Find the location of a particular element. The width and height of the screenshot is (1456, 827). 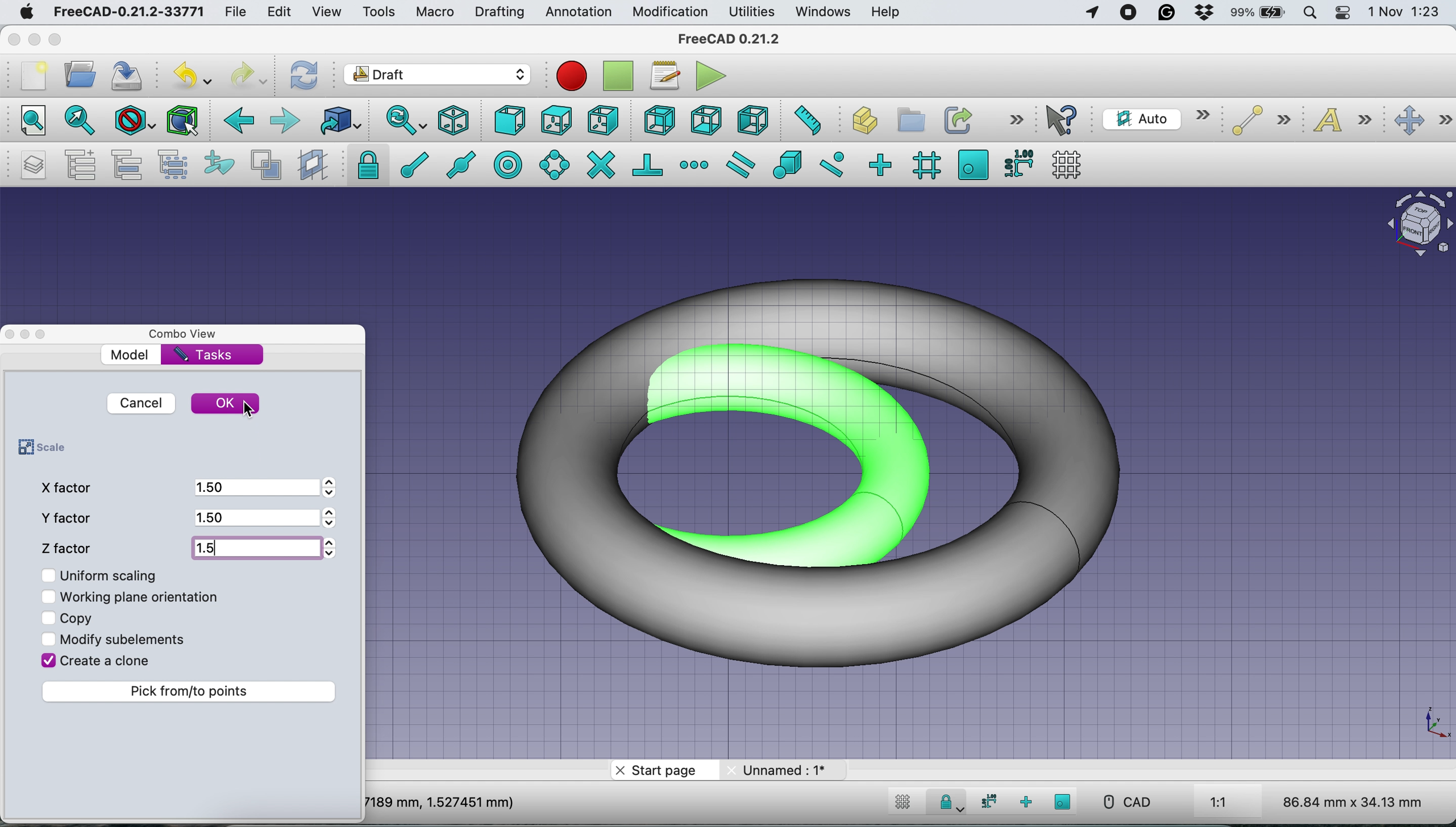

Checkbox is located at coordinates (48, 640).